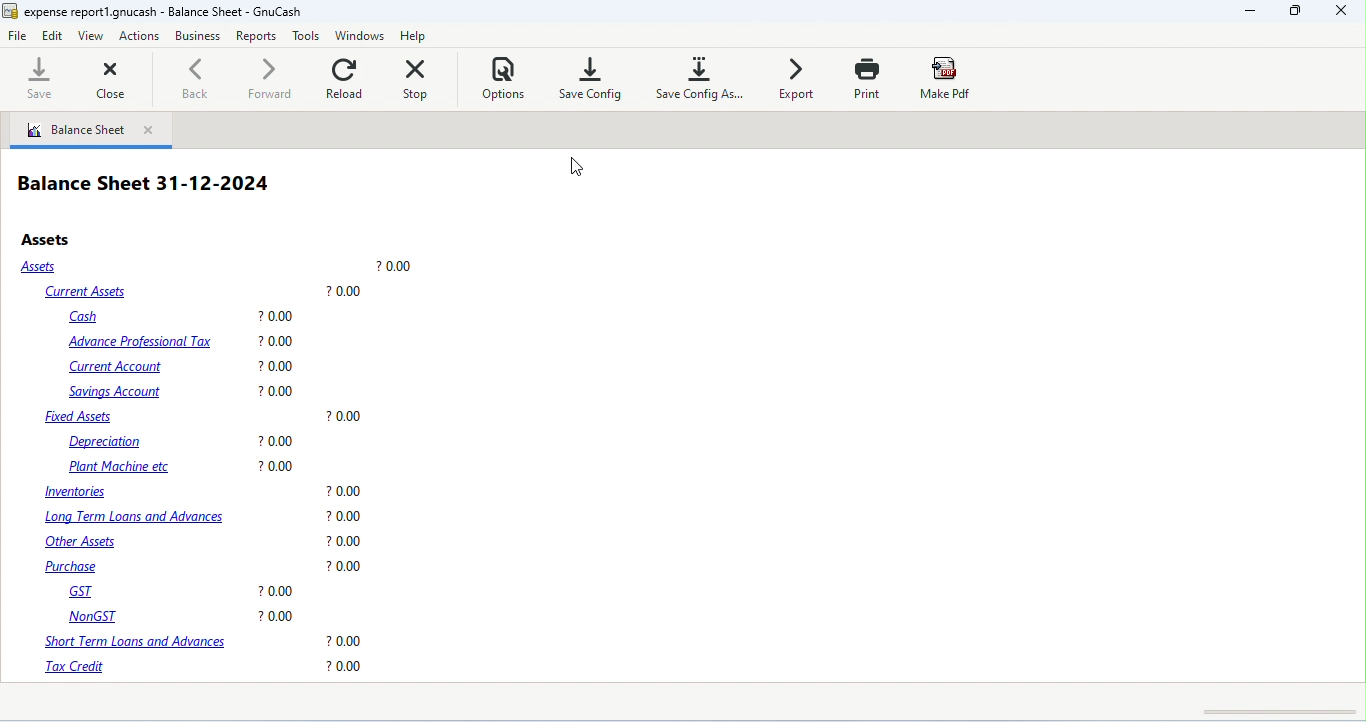 This screenshot has height=722, width=1366. Describe the element at coordinates (702, 76) in the screenshot. I see `save config as` at that location.